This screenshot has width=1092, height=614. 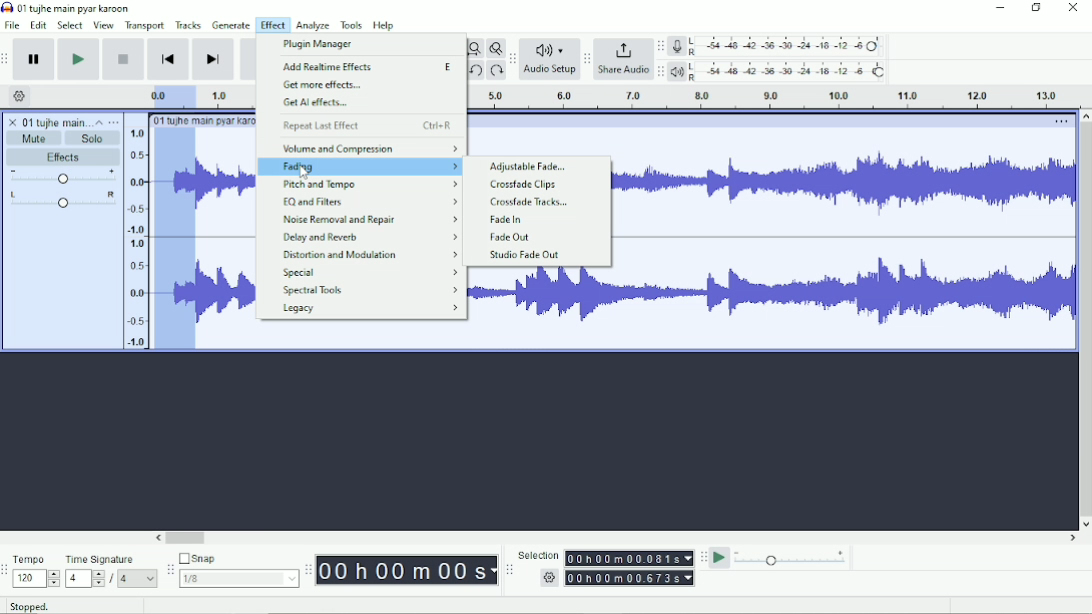 What do you see at coordinates (145, 26) in the screenshot?
I see `Transport` at bounding box center [145, 26].